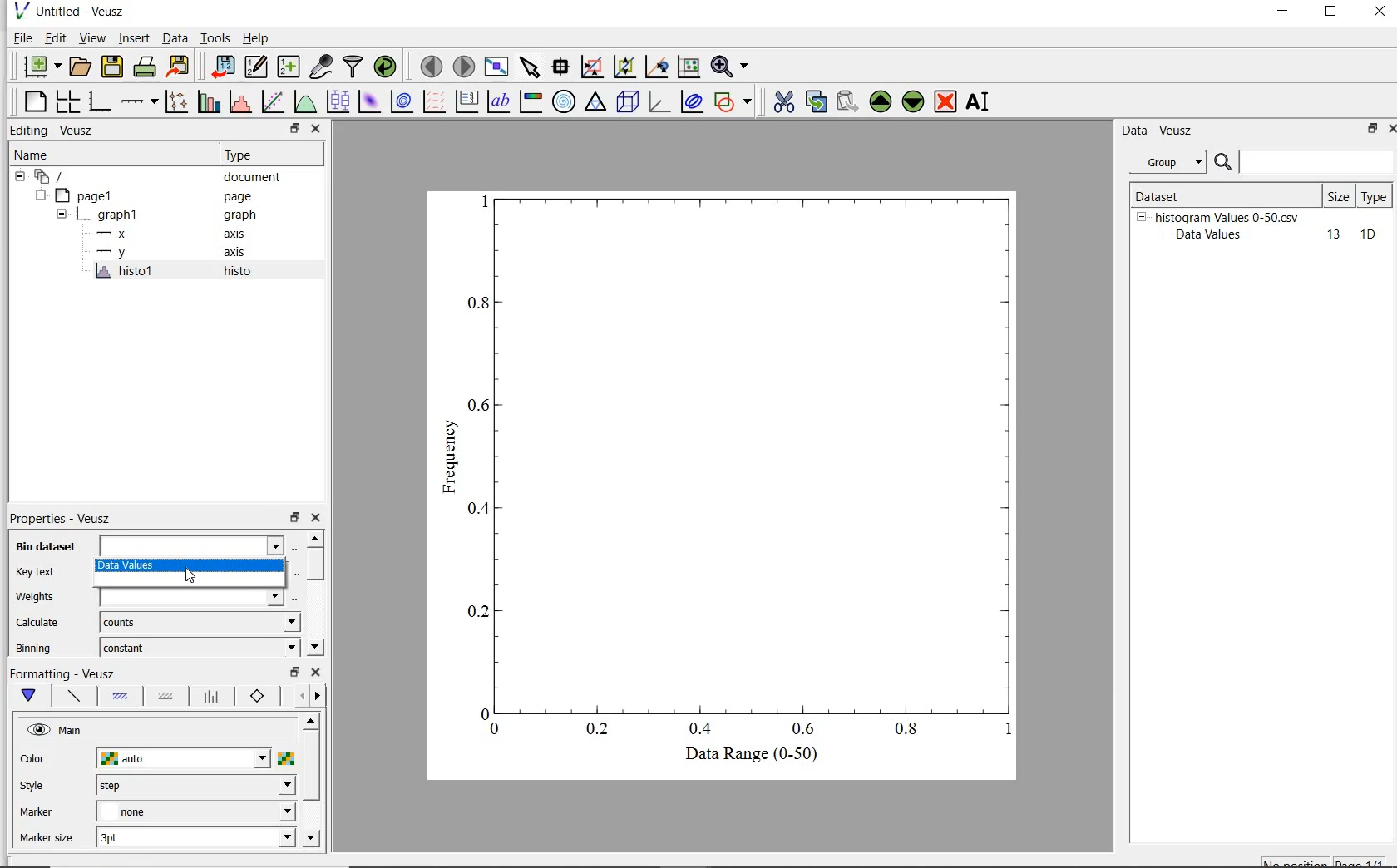 This screenshot has width=1397, height=868. What do you see at coordinates (562, 67) in the screenshot?
I see `read data points on the graph` at bounding box center [562, 67].